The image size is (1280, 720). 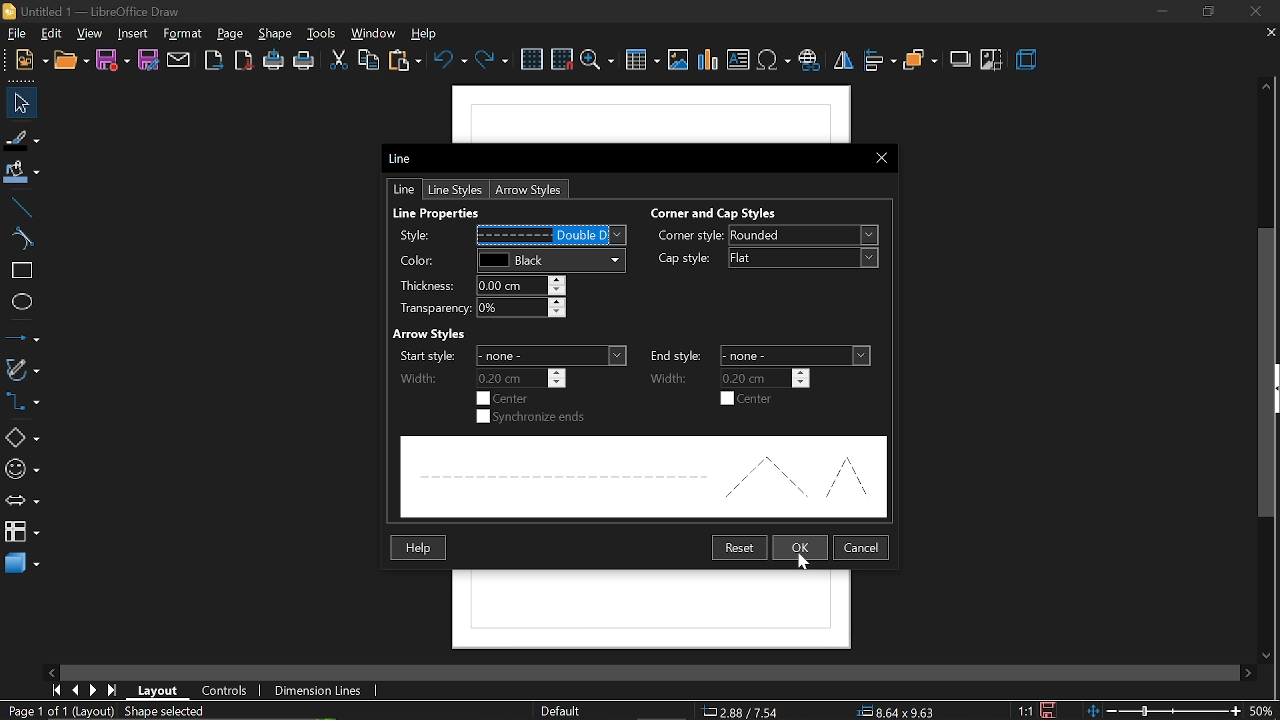 What do you see at coordinates (230, 33) in the screenshot?
I see `page` at bounding box center [230, 33].